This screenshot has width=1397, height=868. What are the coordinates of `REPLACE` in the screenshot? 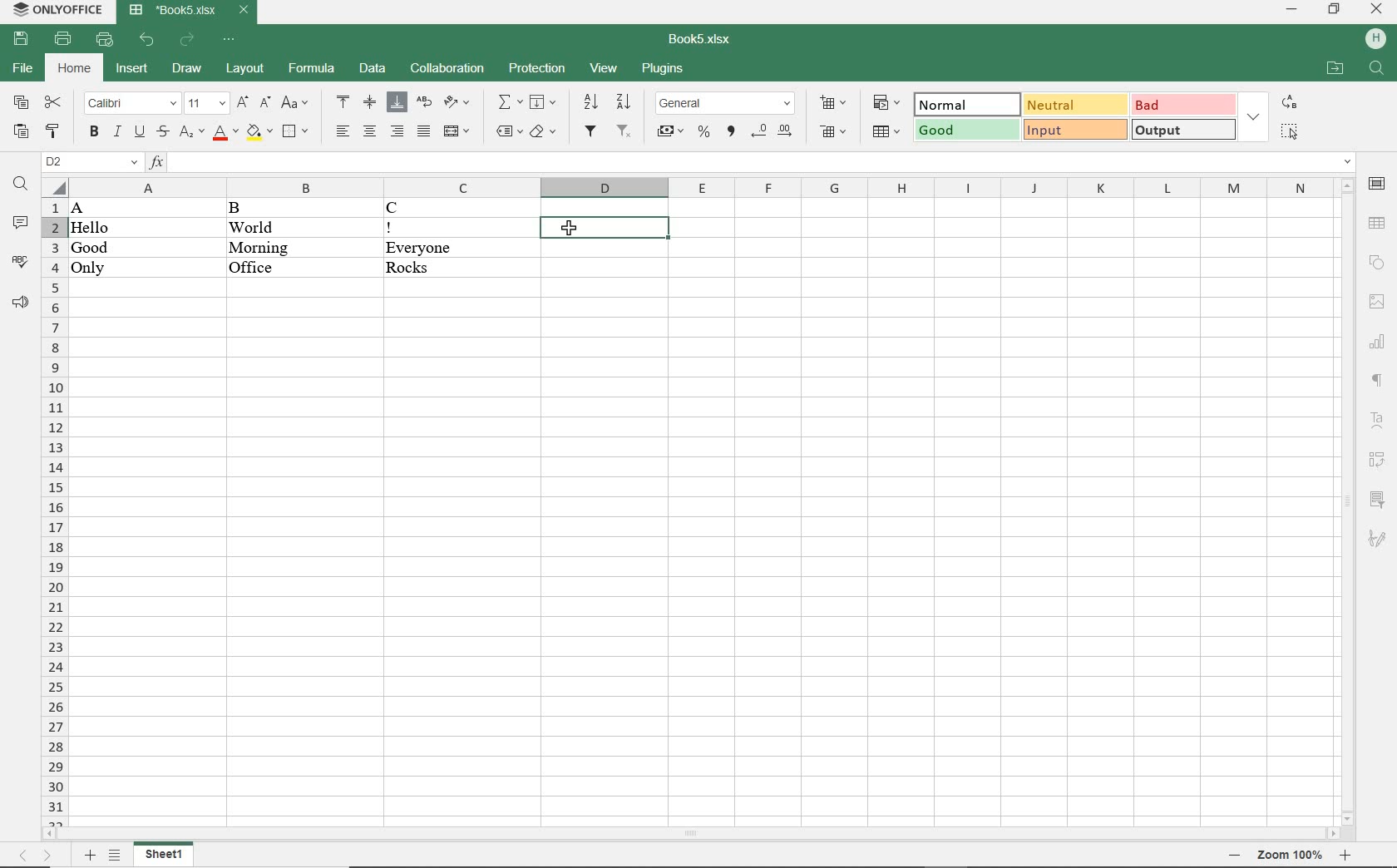 It's located at (1290, 103).